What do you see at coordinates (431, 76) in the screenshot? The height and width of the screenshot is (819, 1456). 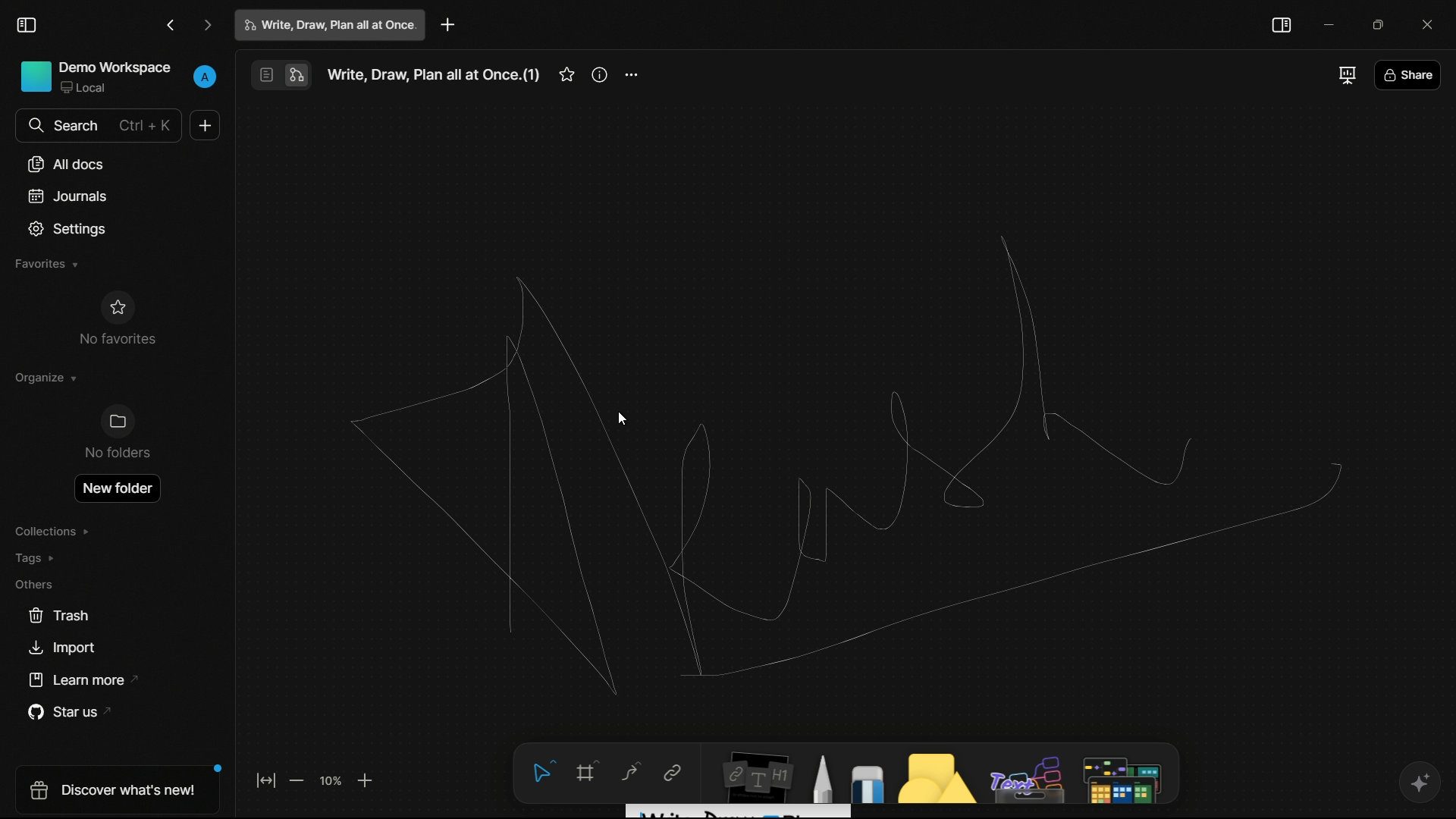 I see `Write, Draw, Plan all at Once.(1)` at bounding box center [431, 76].